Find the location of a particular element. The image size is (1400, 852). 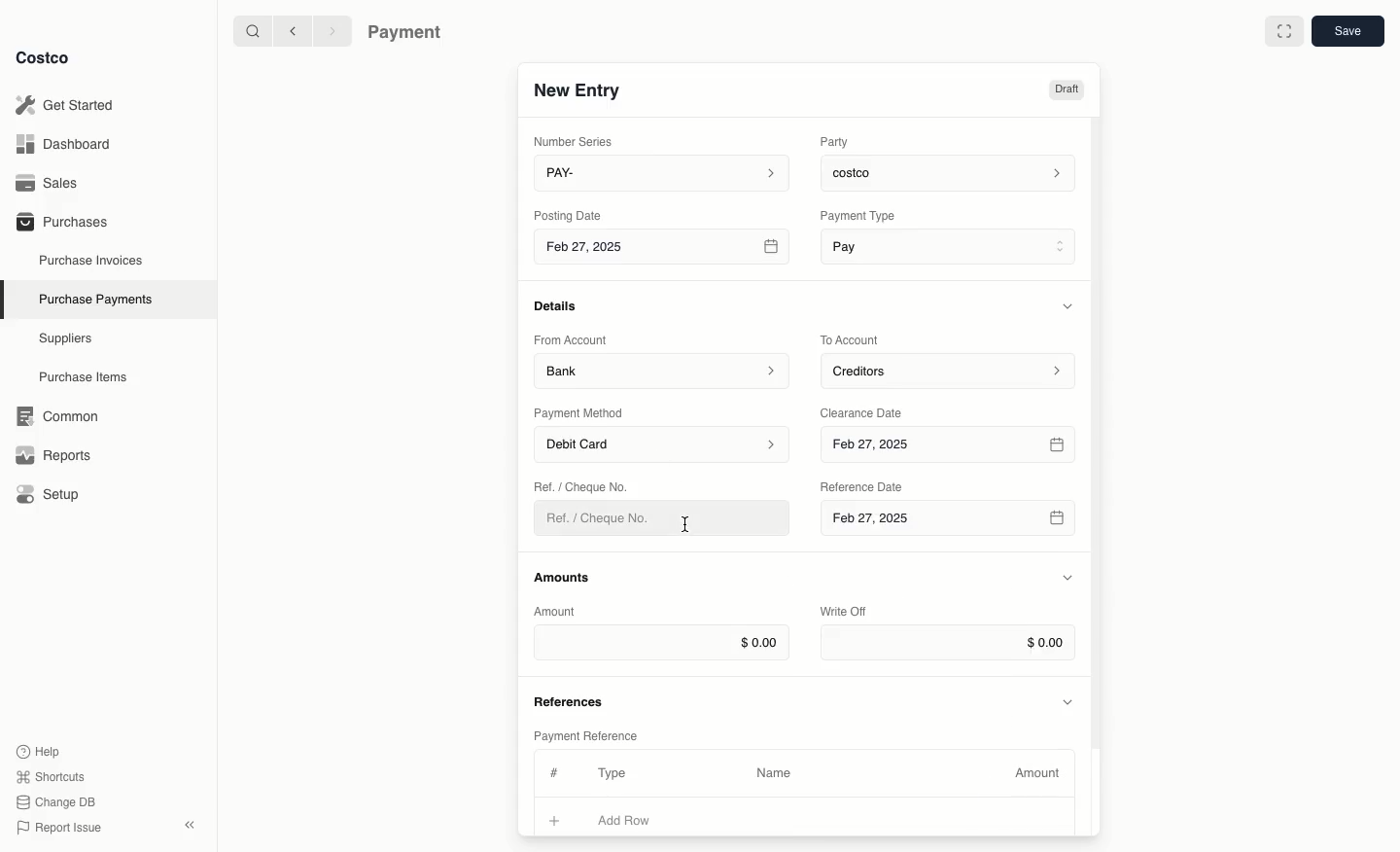

Debit Card is located at coordinates (663, 445).